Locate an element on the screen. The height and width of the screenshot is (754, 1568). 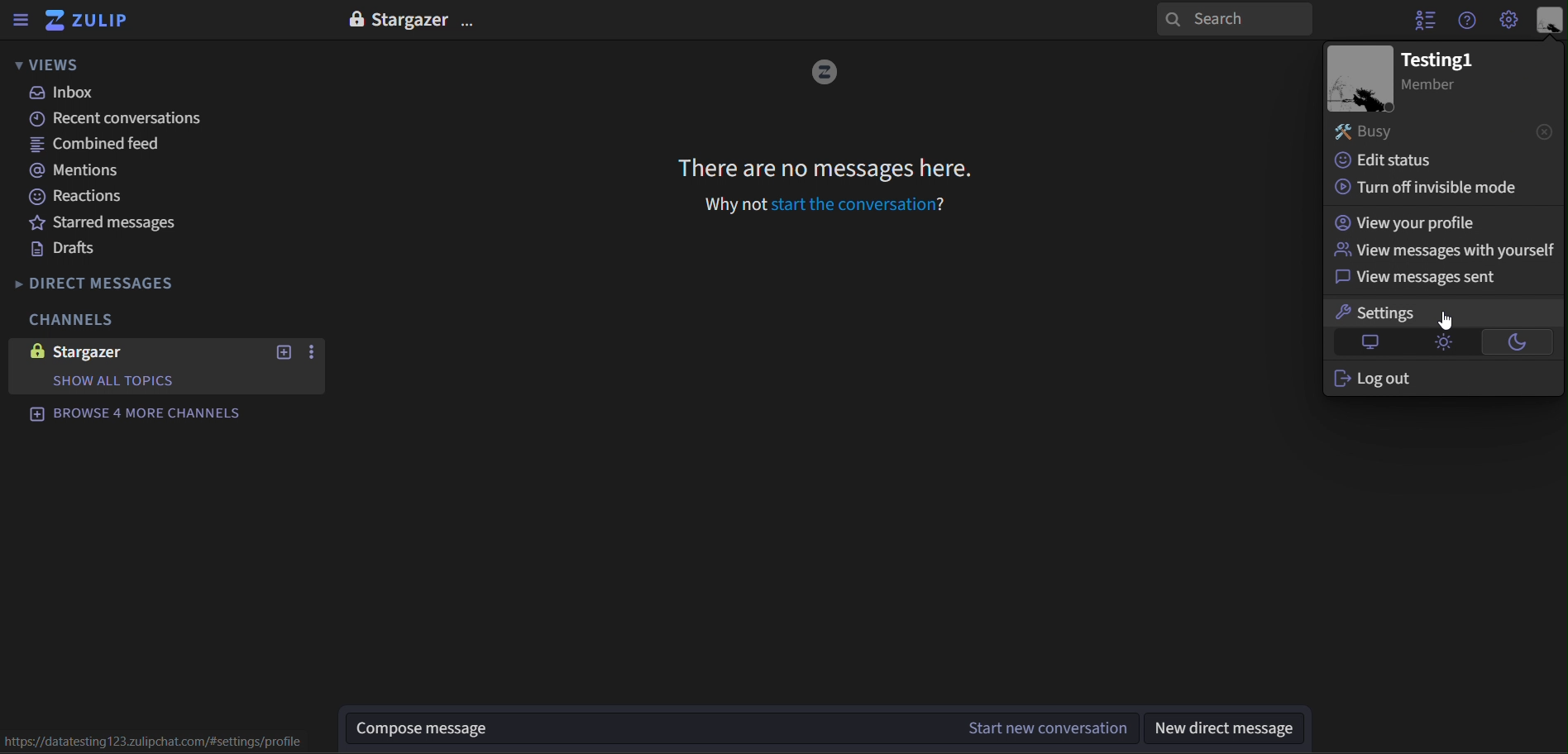
new topic is located at coordinates (285, 353).